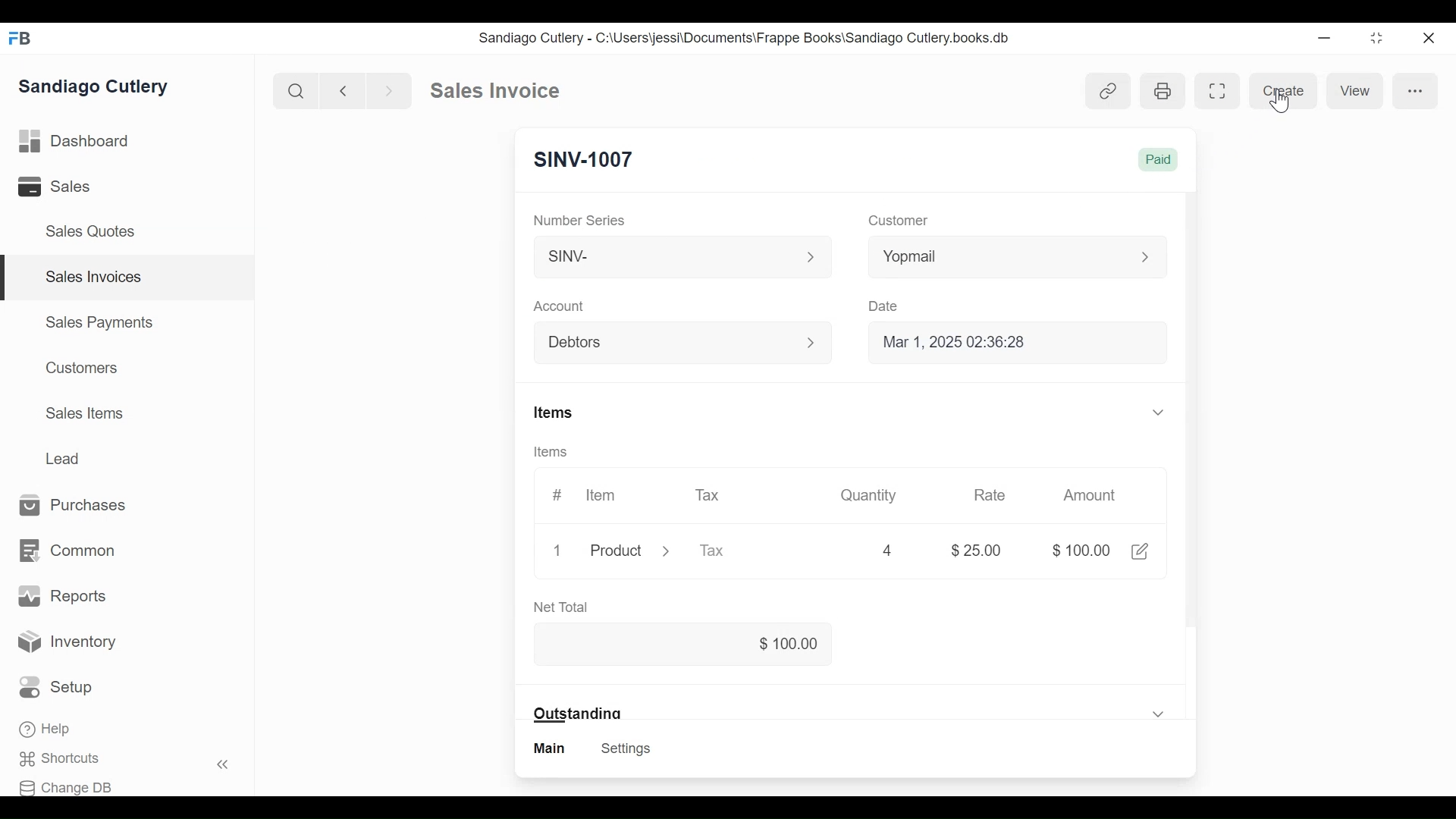  What do you see at coordinates (69, 550) in the screenshot?
I see ` Common` at bounding box center [69, 550].